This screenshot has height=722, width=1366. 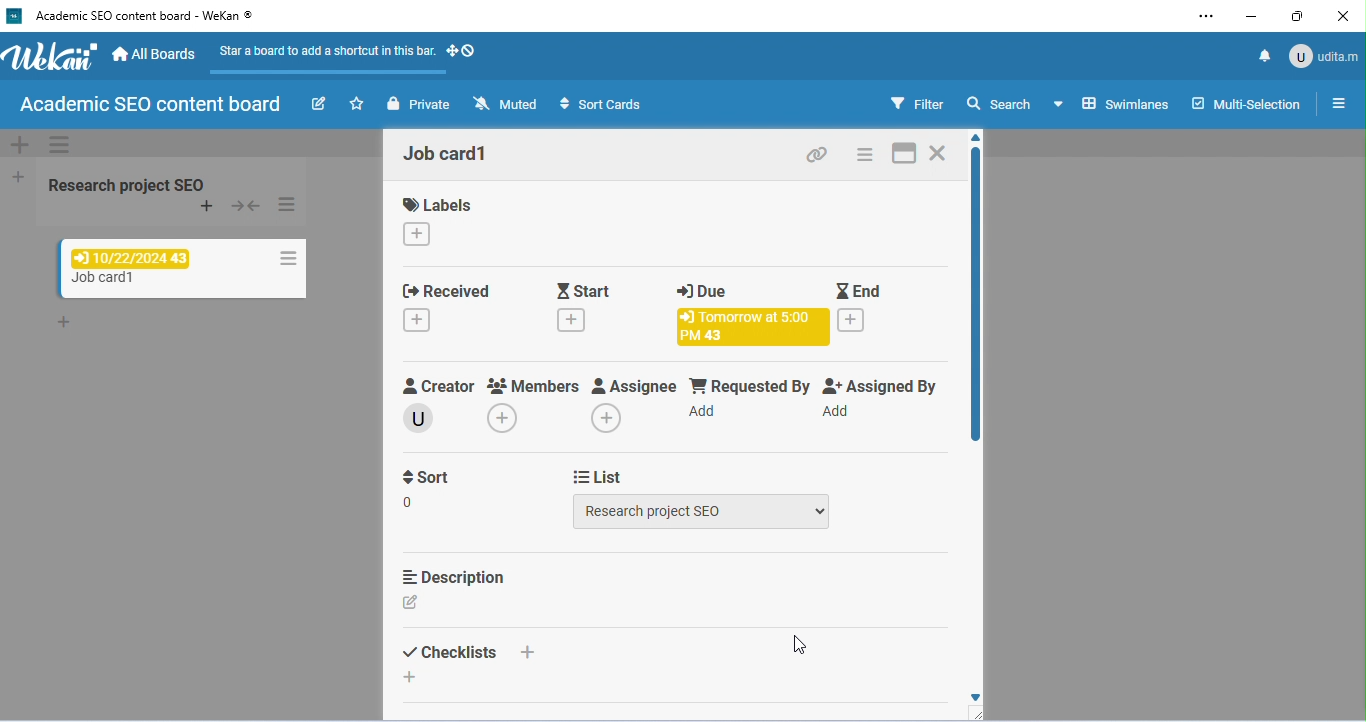 I want to click on add card to bottom, so click(x=63, y=324).